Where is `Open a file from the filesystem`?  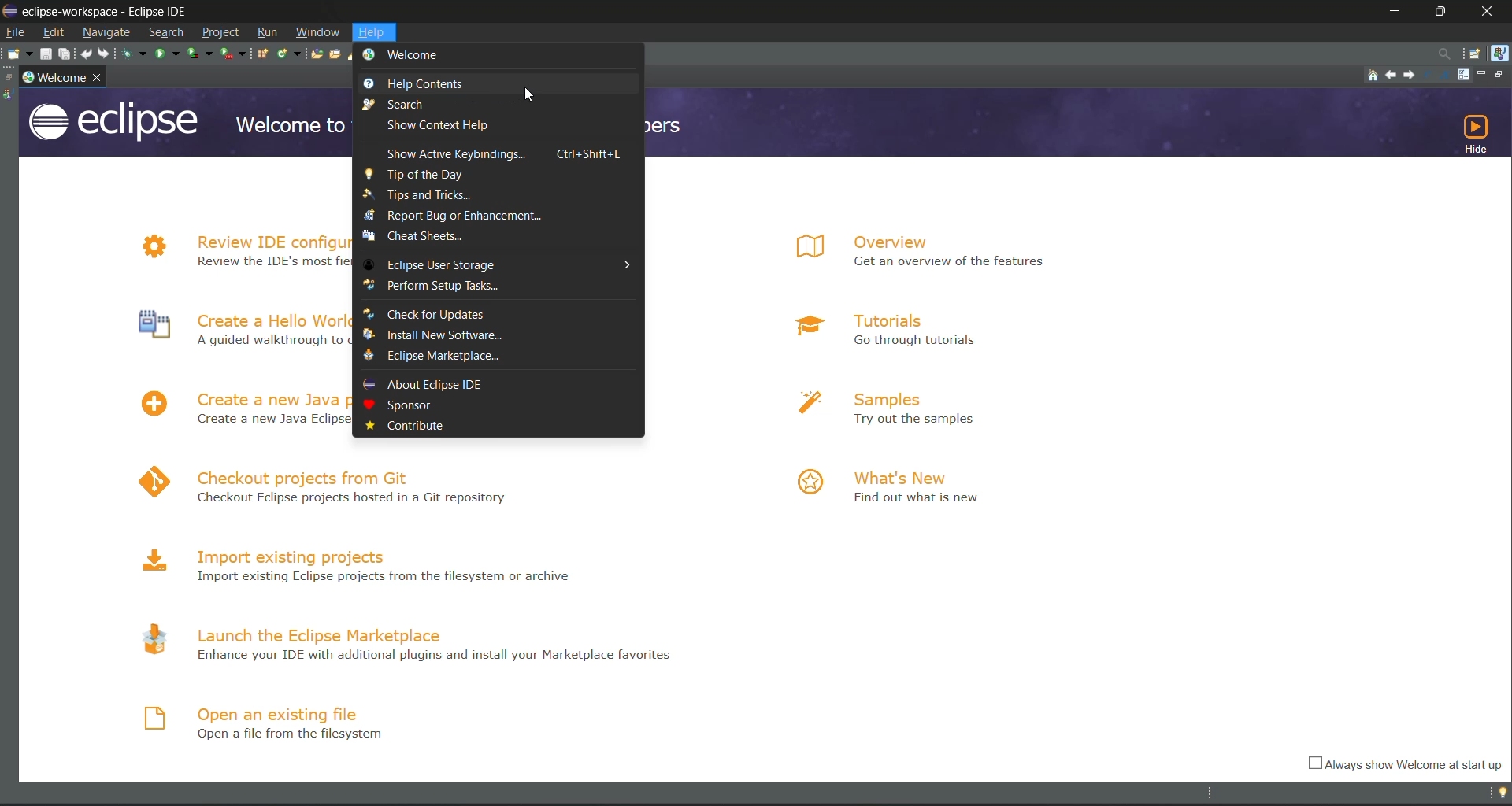 Open a file from the filesystem is located at coordinates (280, 737).